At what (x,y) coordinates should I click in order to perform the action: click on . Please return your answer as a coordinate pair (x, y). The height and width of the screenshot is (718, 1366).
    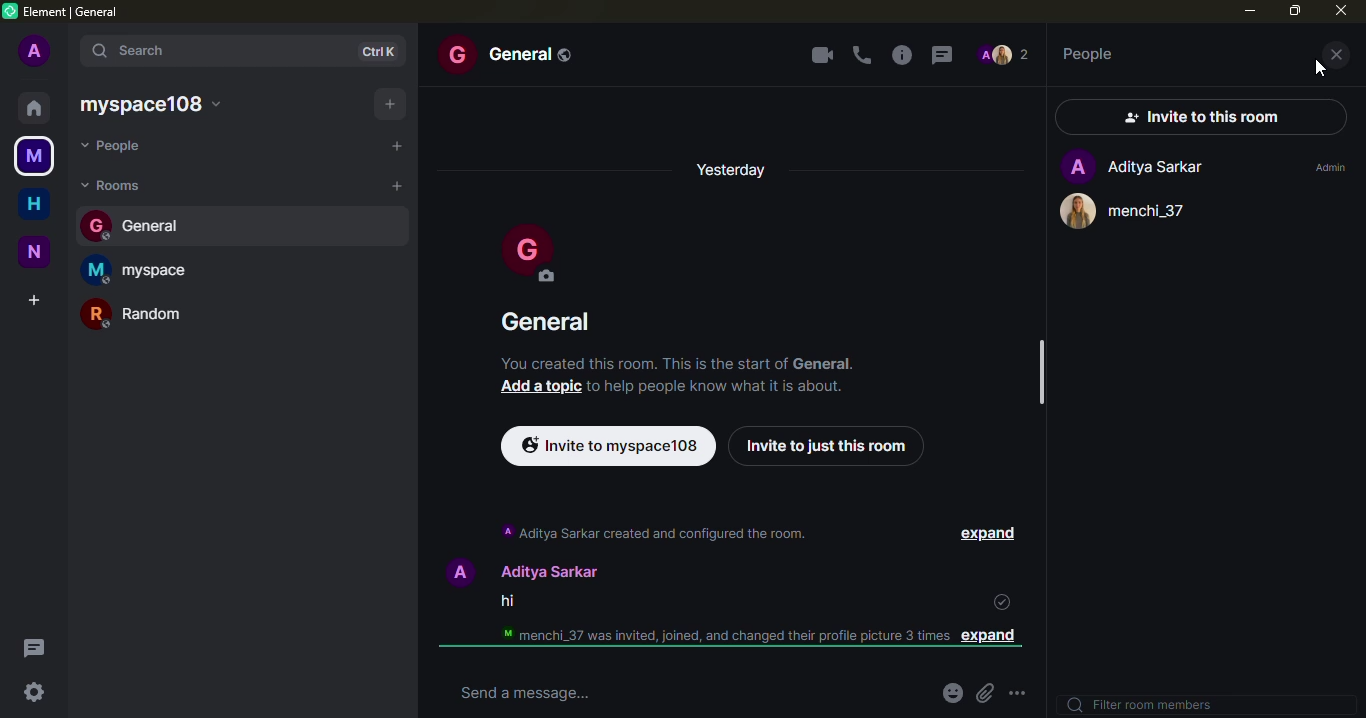
    Looking at the image, I should click on (1024, 693).